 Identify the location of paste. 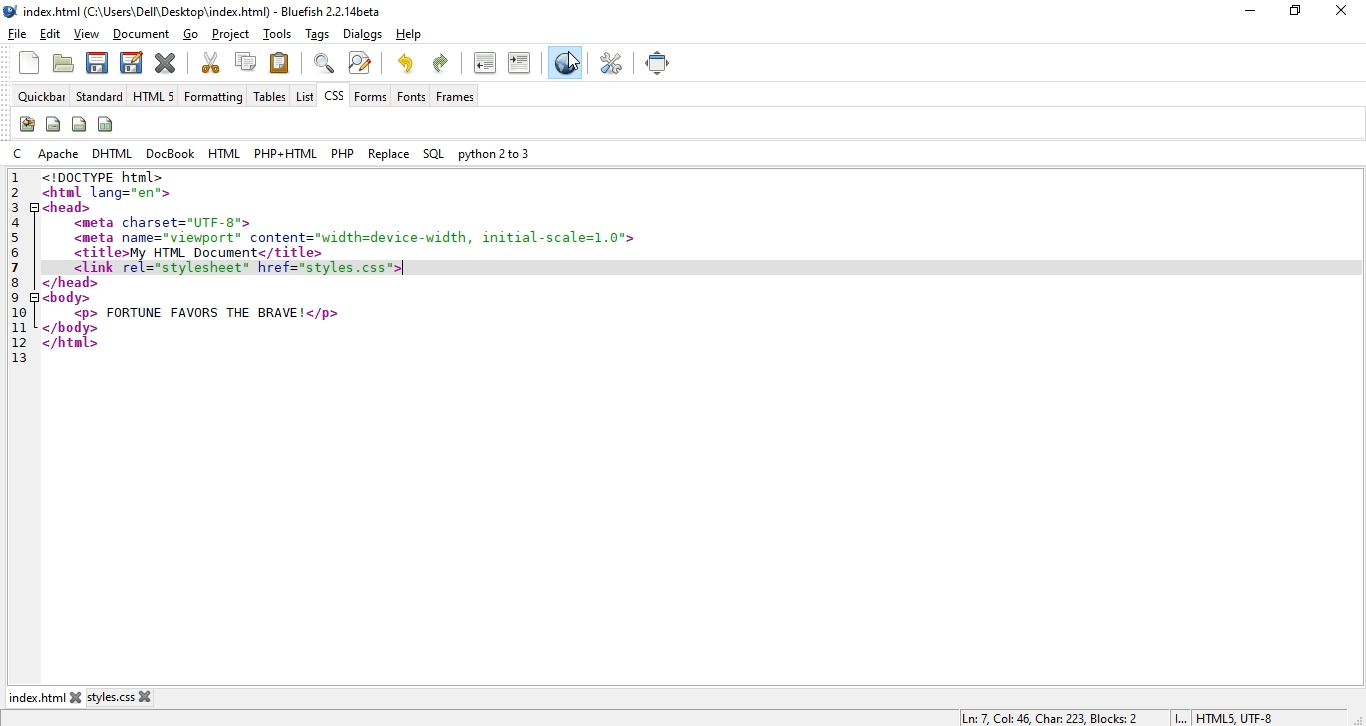
(280, 62).